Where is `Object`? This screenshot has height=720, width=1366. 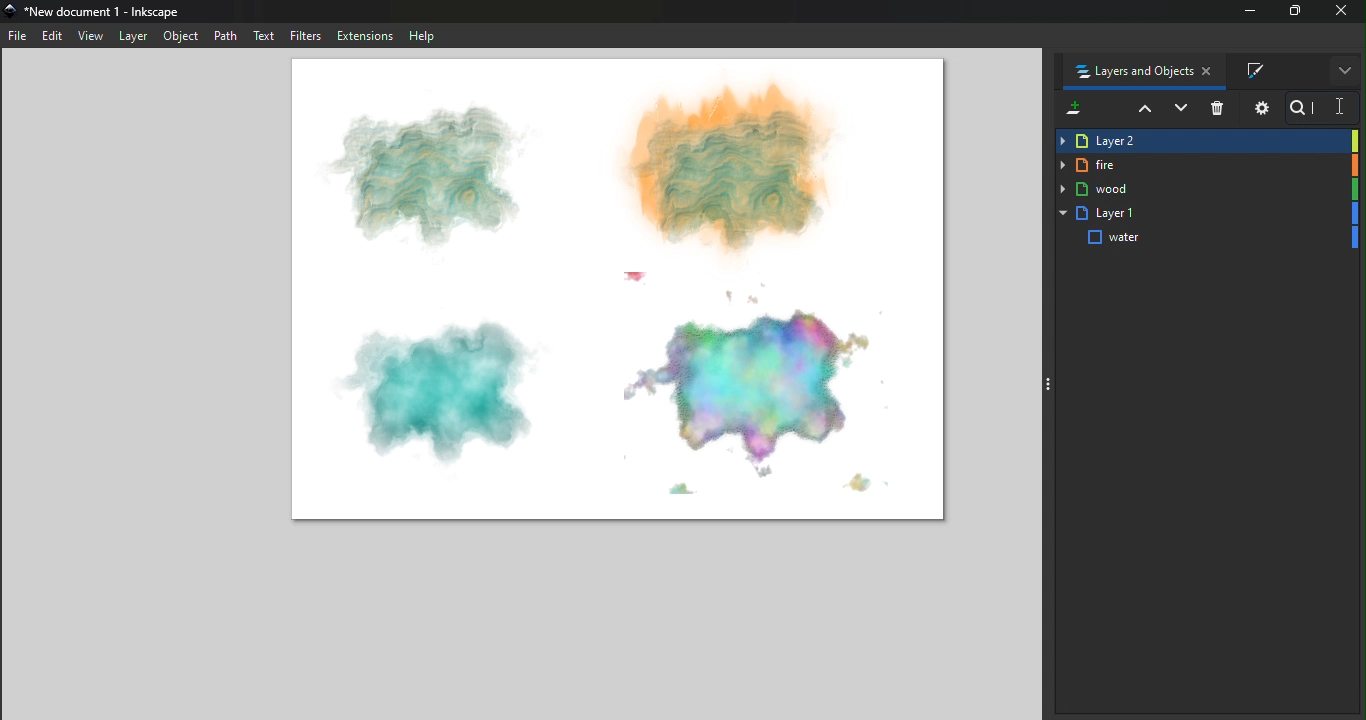
Object is located at coordinates (182, 37).